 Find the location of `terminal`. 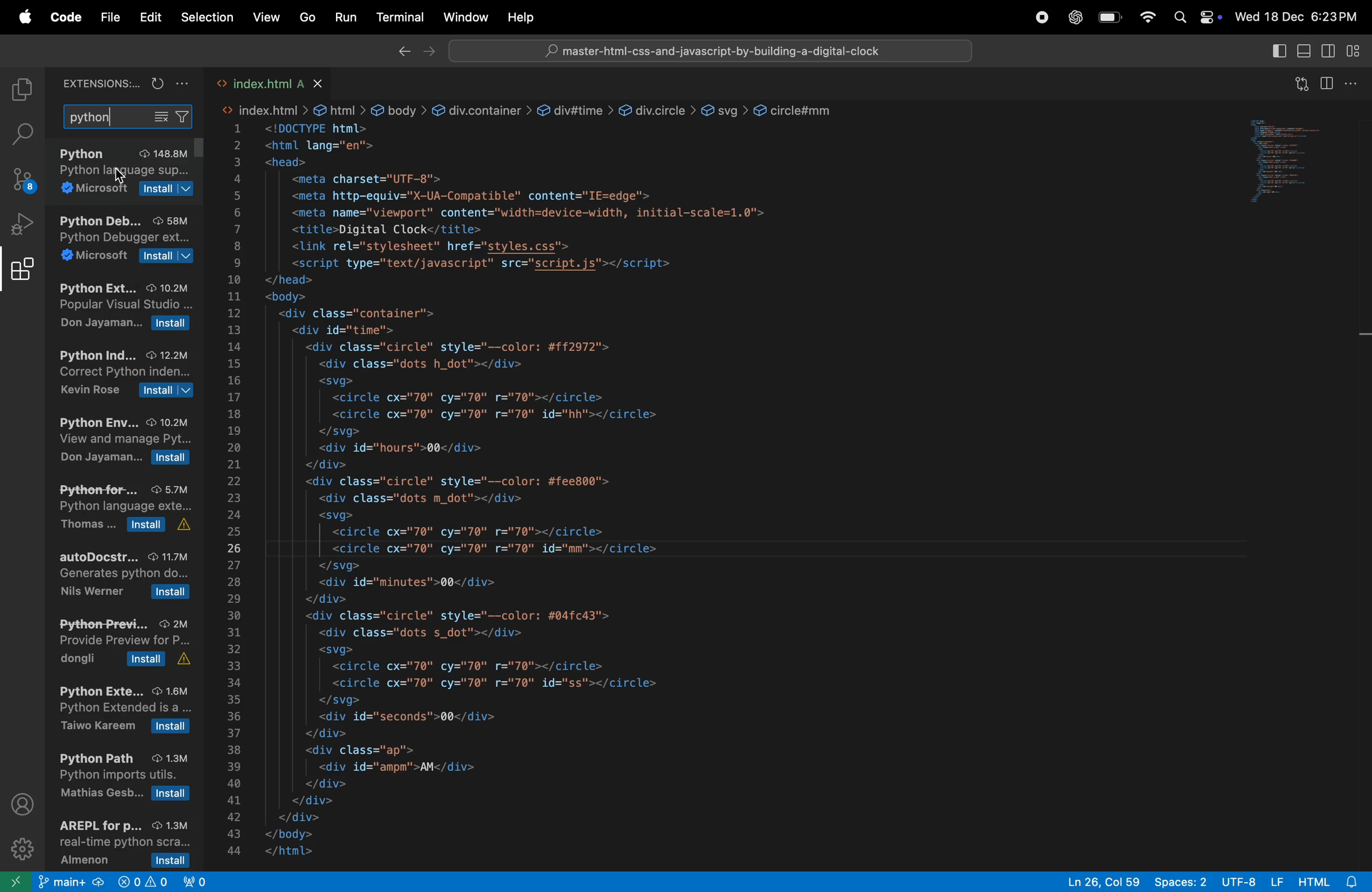

terminal is located at coordinates (397, 16).